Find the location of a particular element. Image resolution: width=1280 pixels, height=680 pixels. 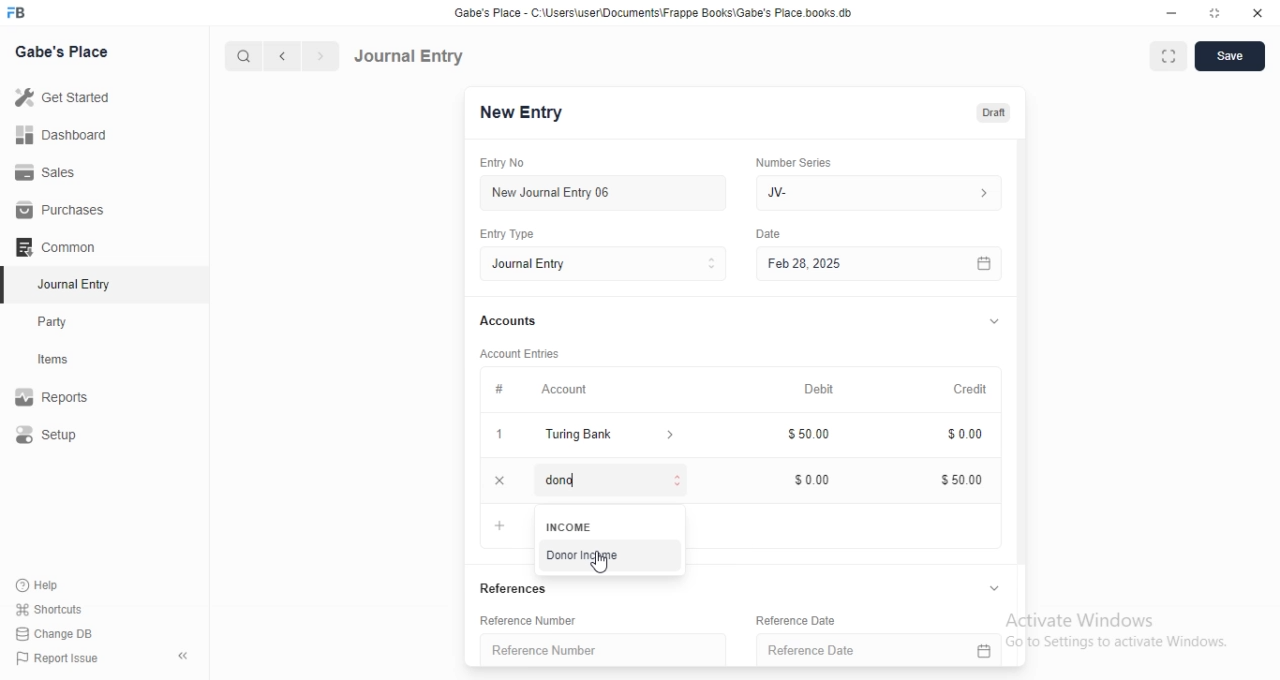

search is located at coordinates (245, 56).